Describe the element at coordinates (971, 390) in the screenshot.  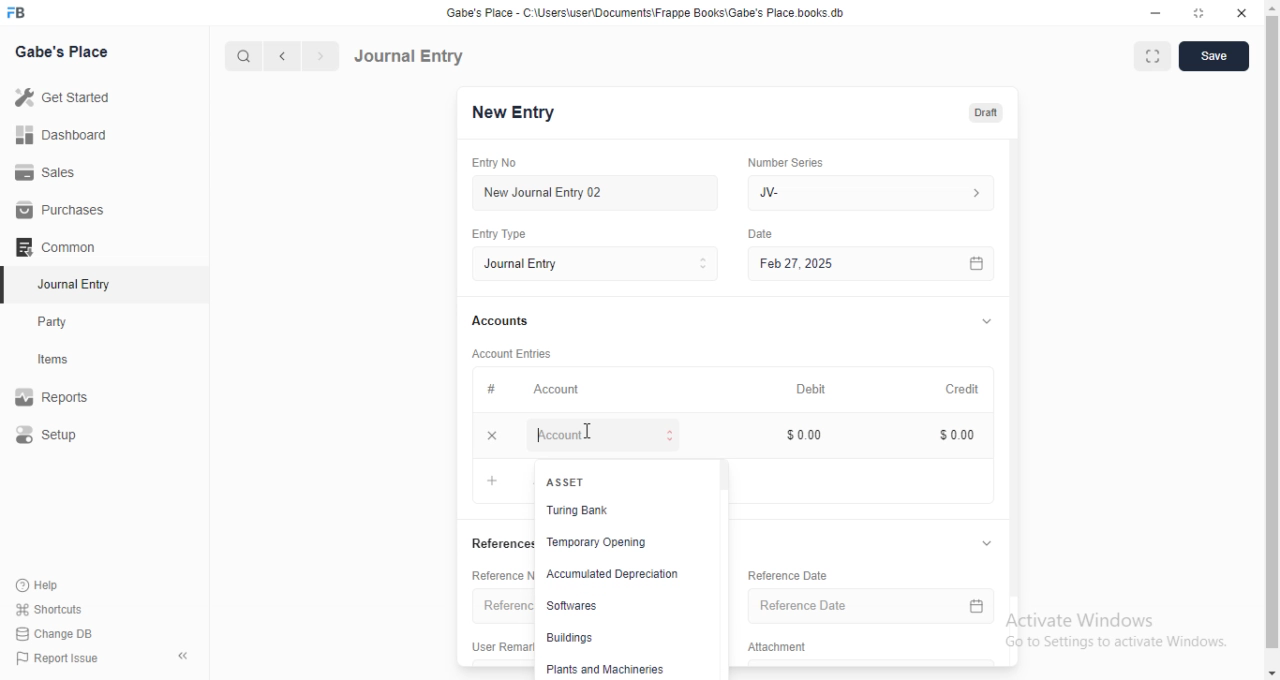
I see `Credit` at that location.